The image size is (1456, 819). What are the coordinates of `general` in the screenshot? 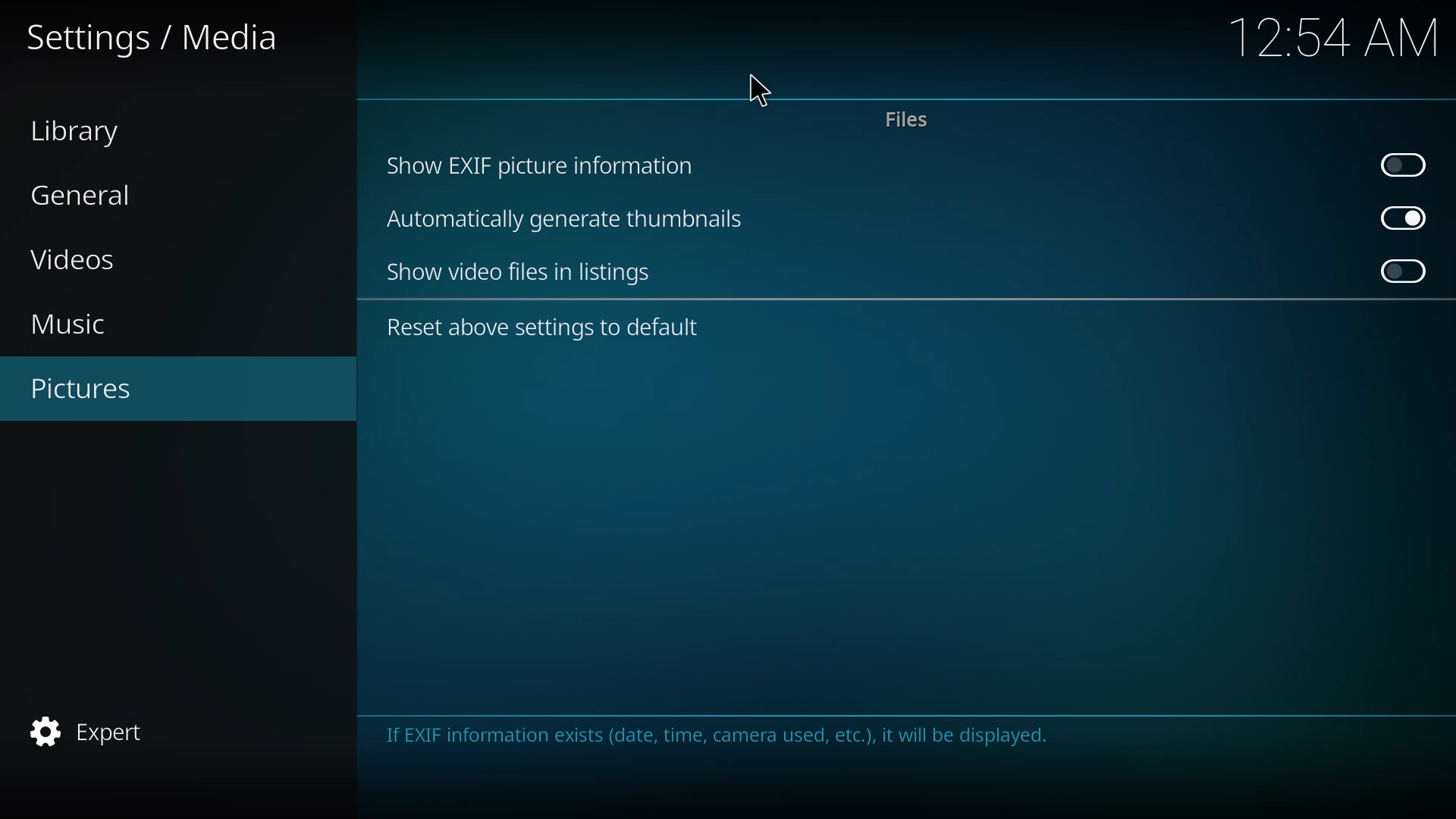 It's located at (89, 195).